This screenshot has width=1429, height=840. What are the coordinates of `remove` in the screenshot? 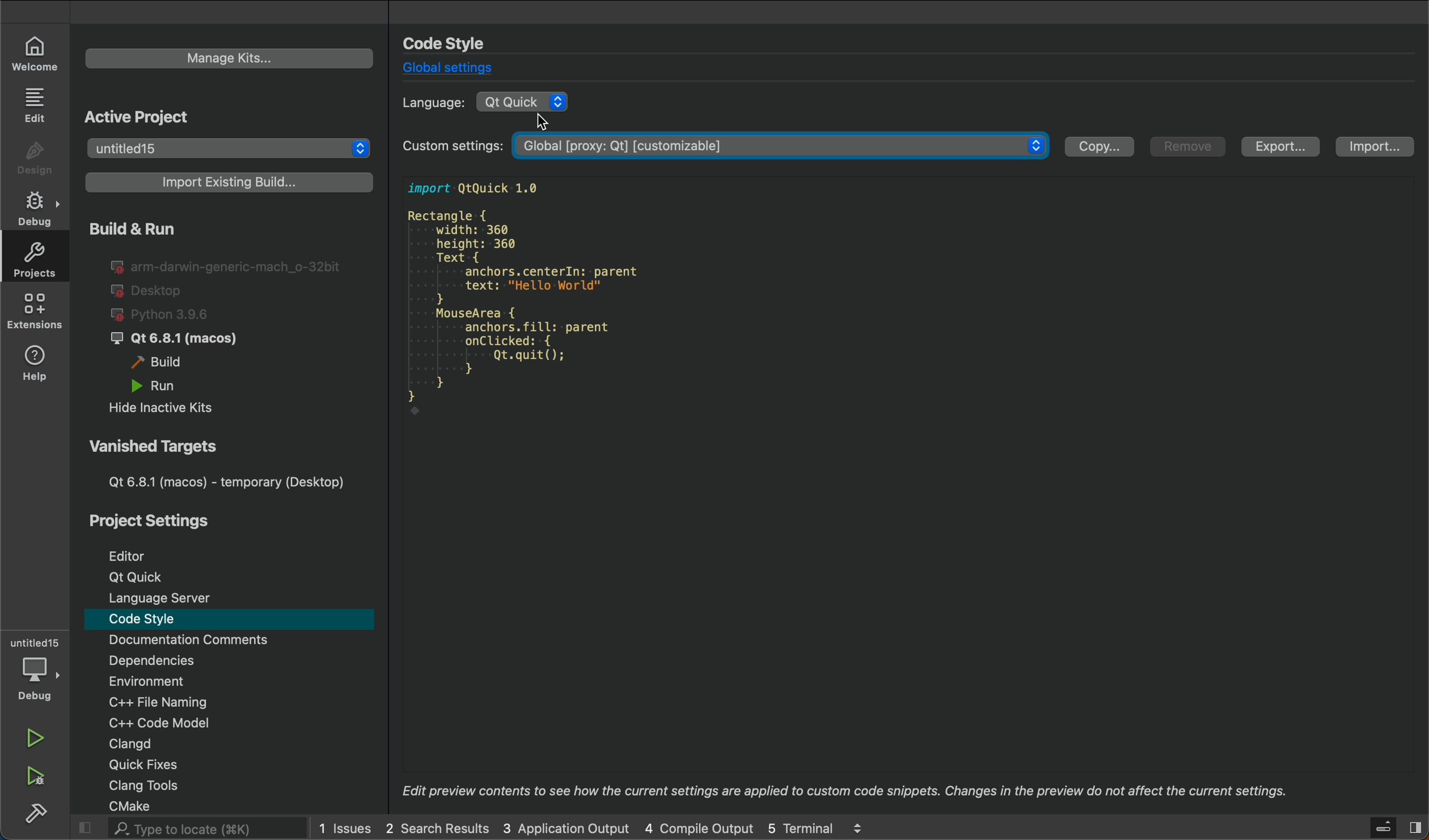 It's located at (1186, 147).